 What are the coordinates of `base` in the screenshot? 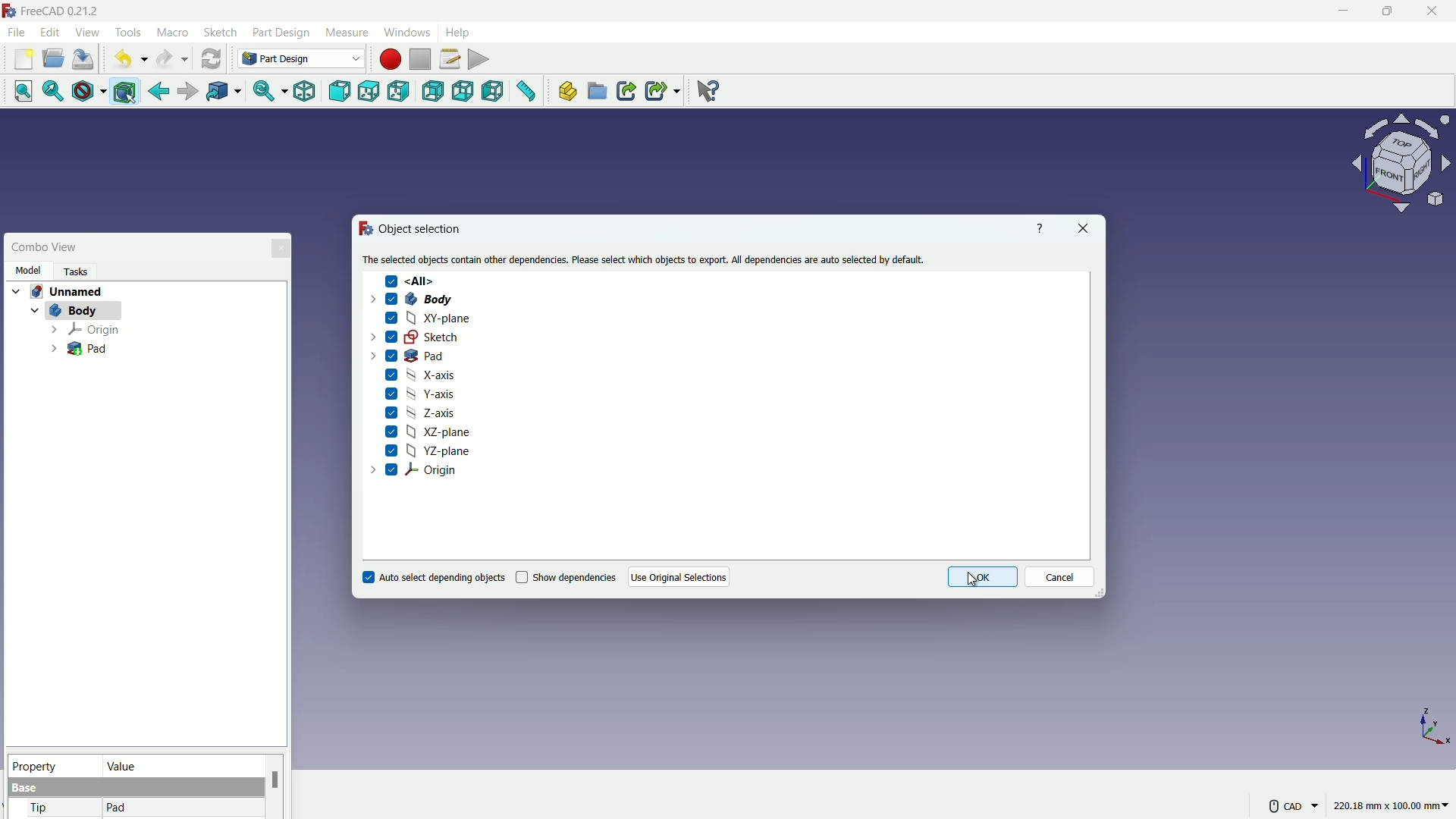 It's located at (26, 789).